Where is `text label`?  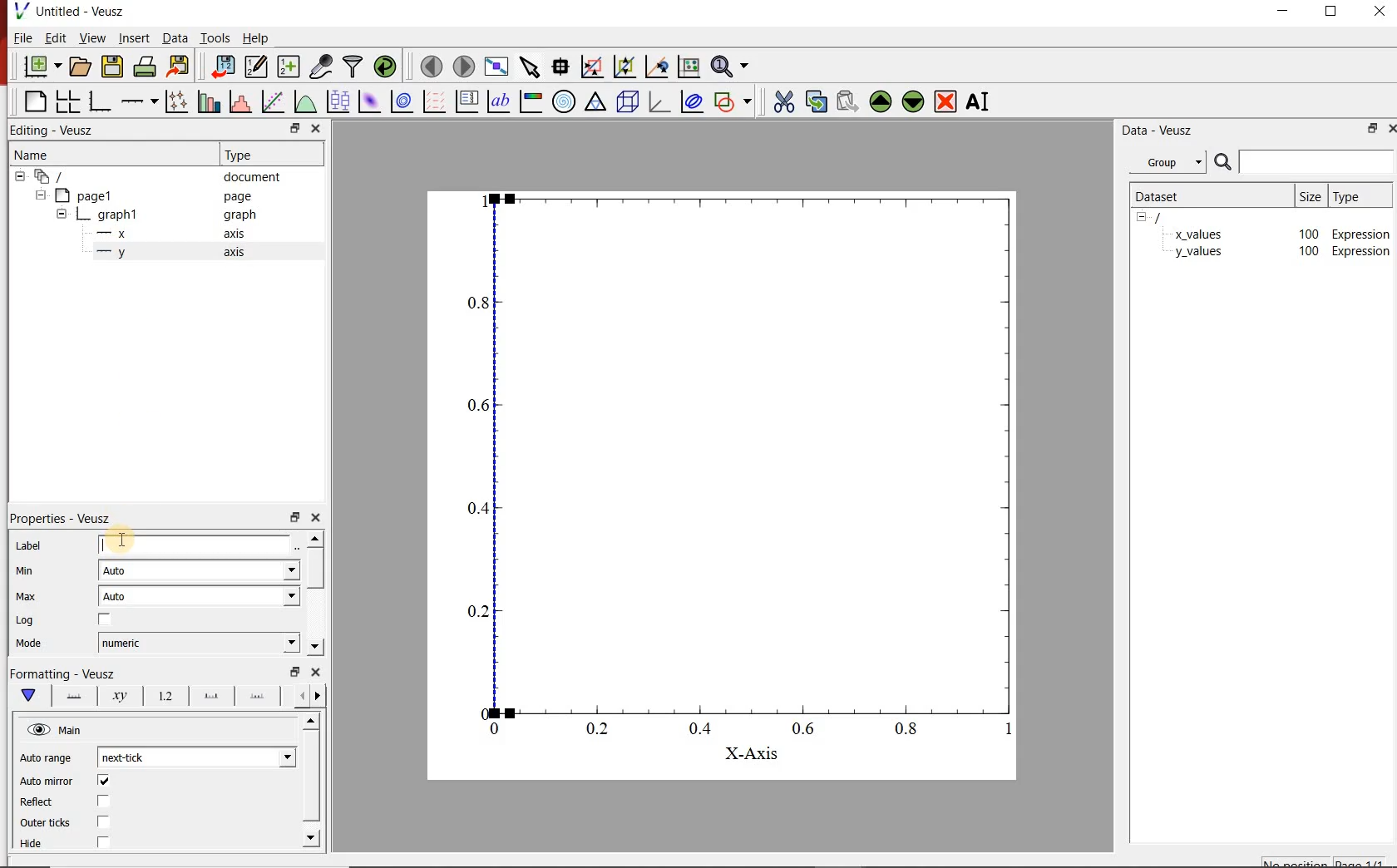 text label is located at coordinates (496, 101).